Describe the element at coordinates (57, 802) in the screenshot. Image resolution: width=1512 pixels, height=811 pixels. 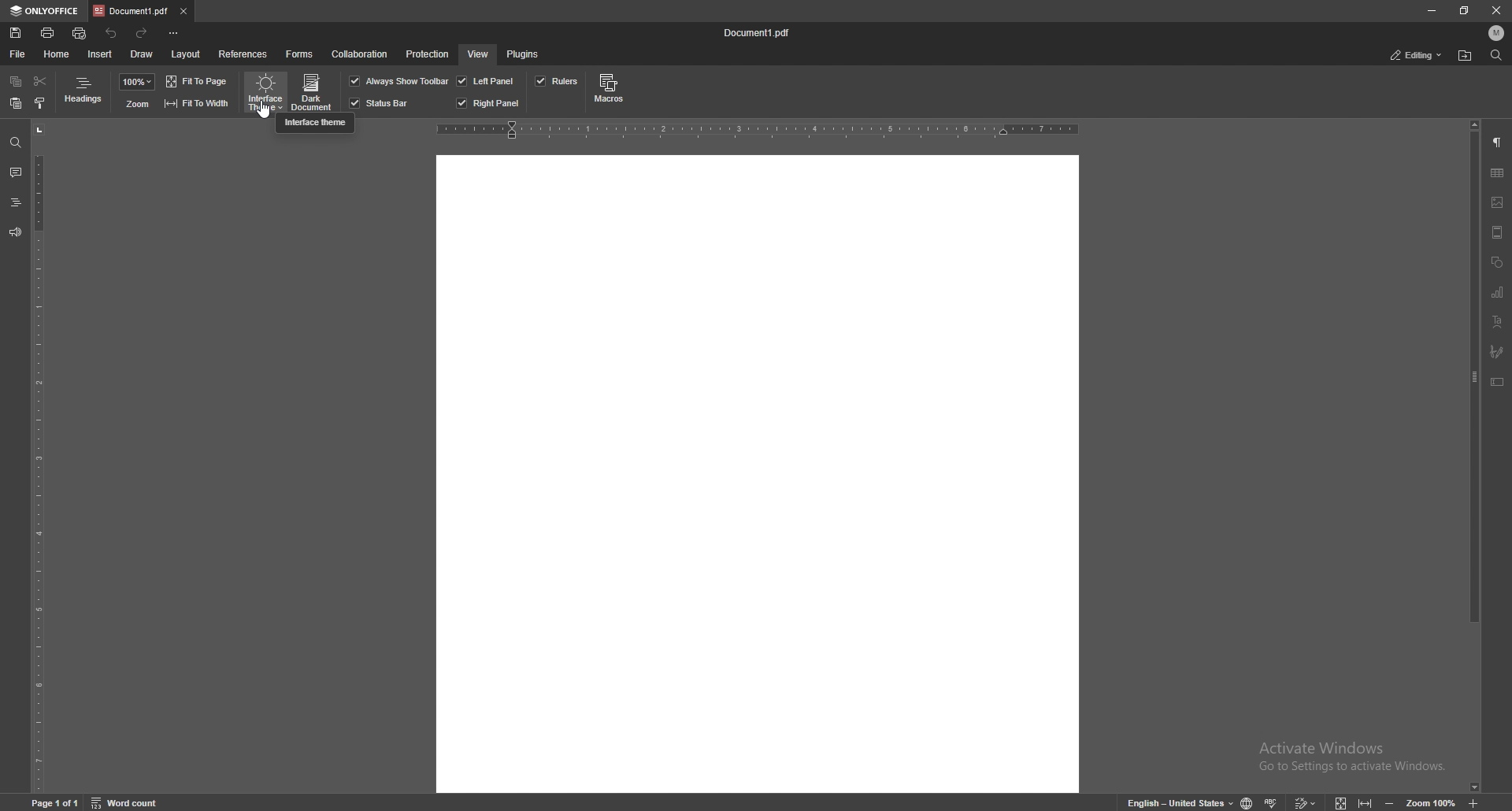
I see `page` at that location.